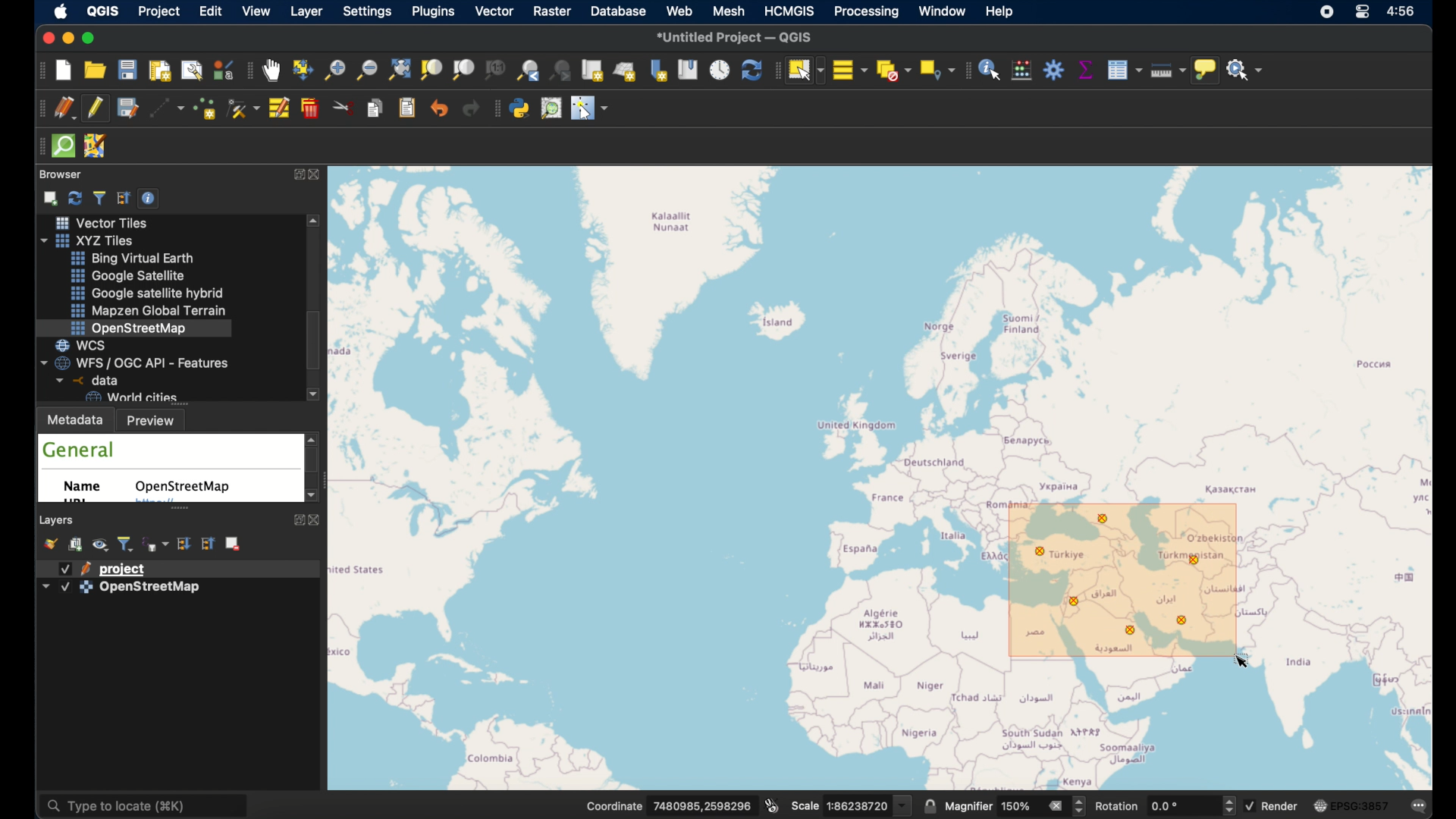 This screenshot has height=819, width=1456. Describe the element at coordinates (750, 70) in the screenshot. I see `refresh` at that location.